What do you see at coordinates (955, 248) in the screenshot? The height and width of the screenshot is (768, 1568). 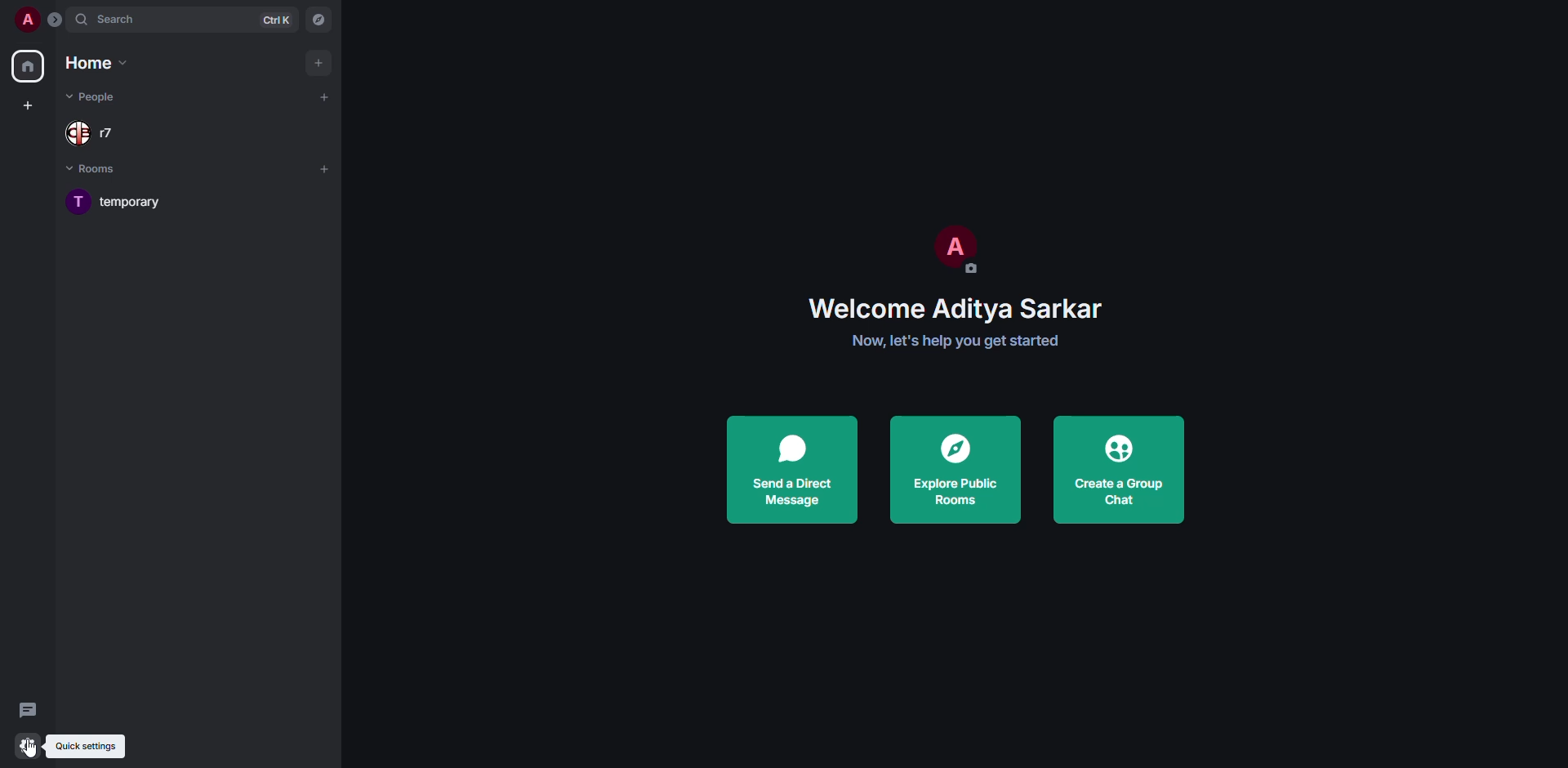 I see `profile pic` at bounding box center [955, 248].